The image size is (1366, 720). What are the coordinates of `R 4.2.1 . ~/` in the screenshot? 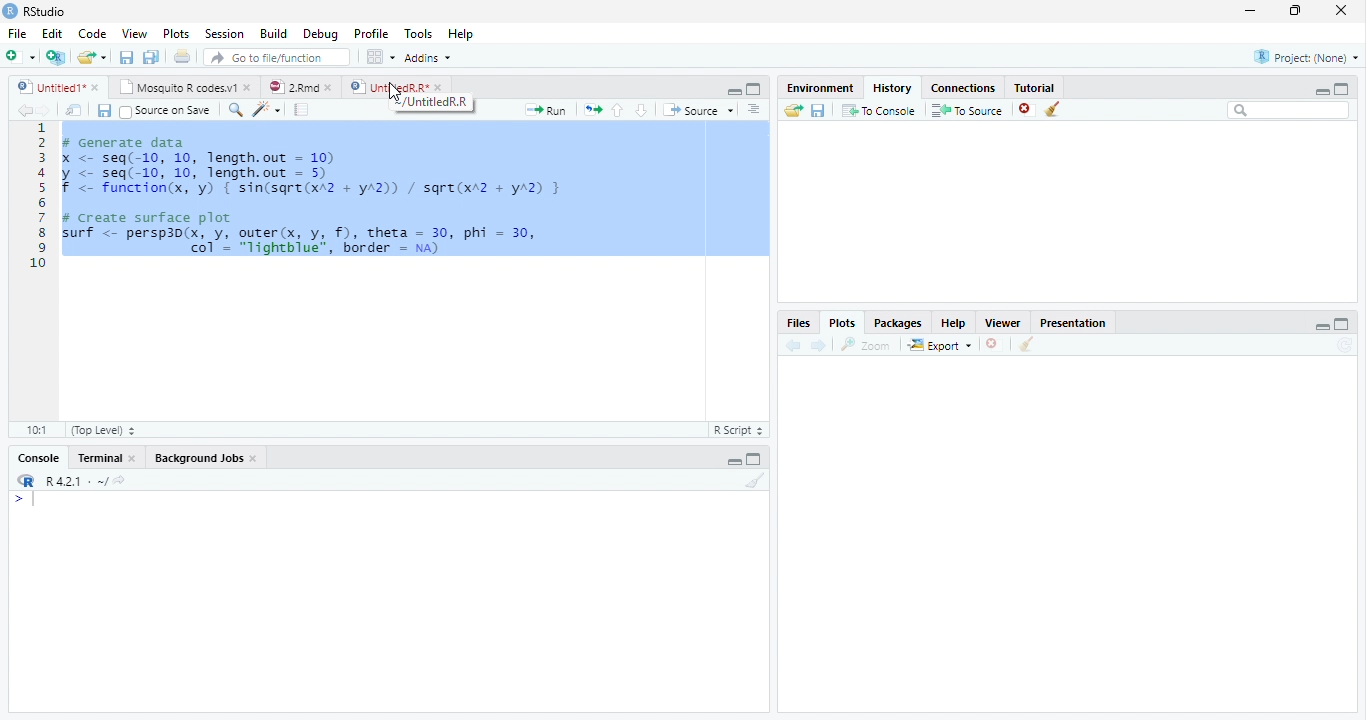 It's located at (76, 480).